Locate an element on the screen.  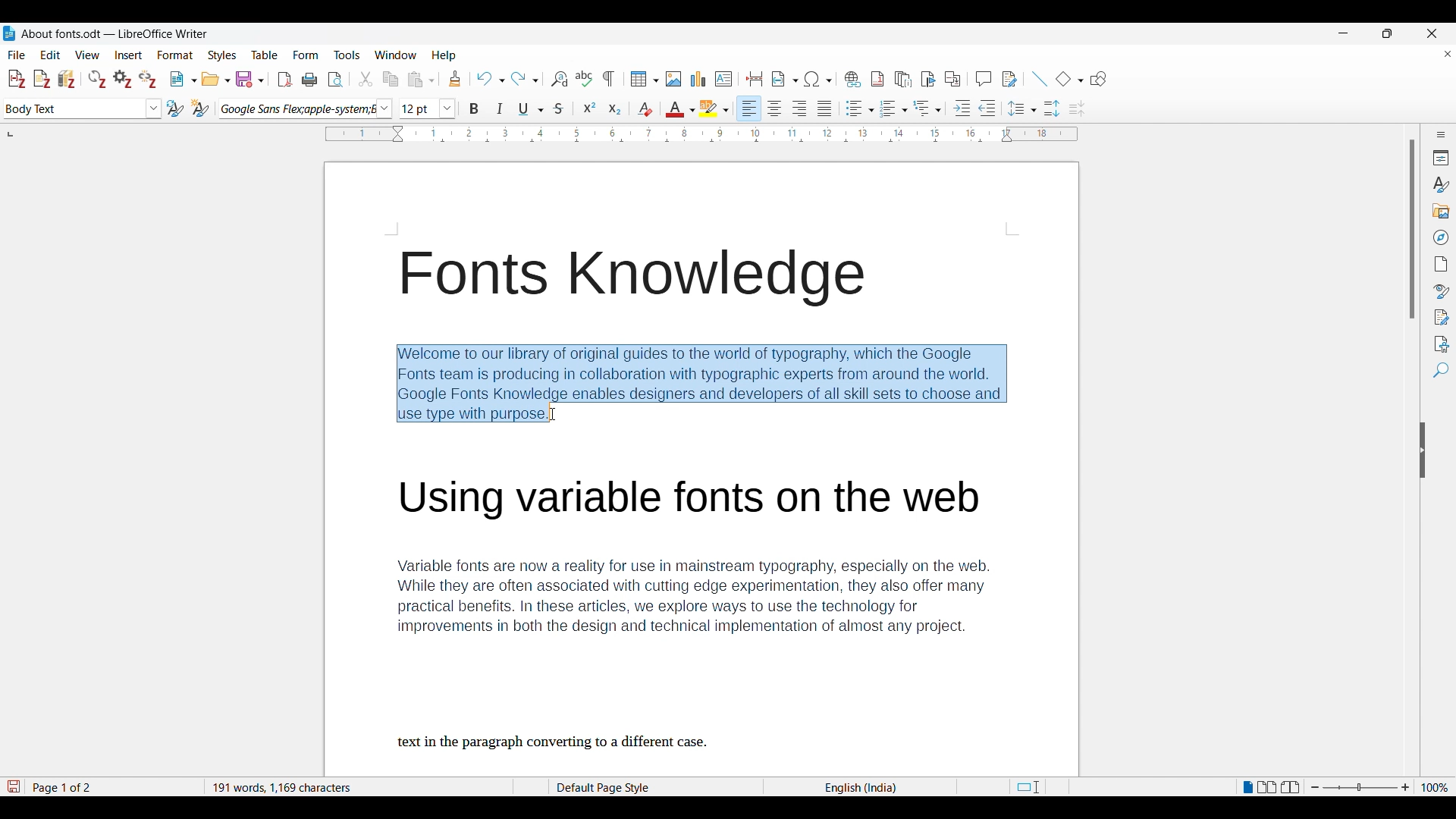
Words and character count is located at coordinates (354, 786).